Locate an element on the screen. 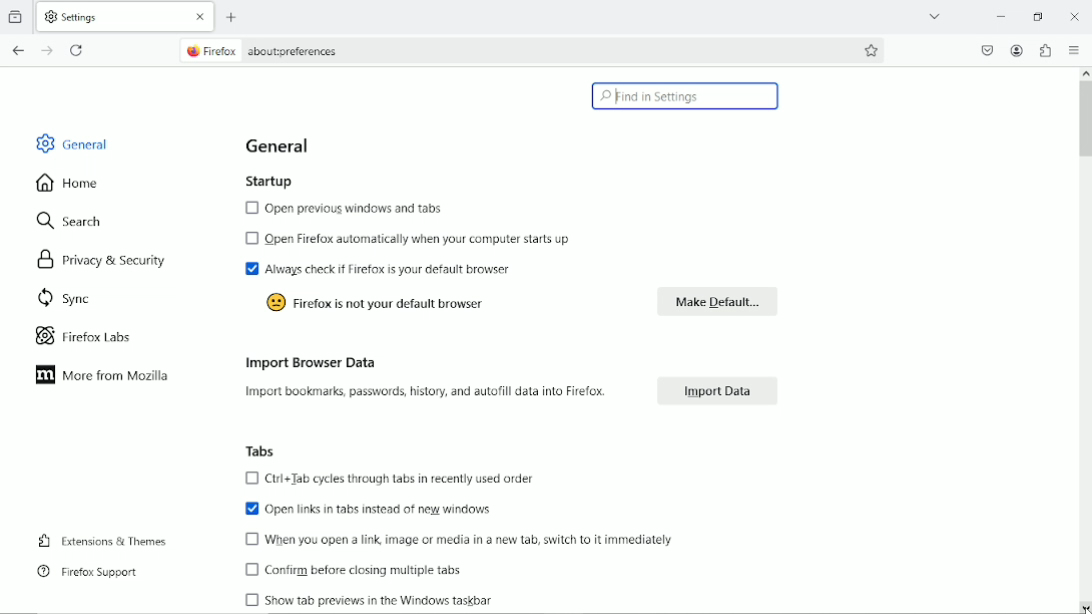 This screenshot has width=1092, height=614. bookmark this page is located at coordinates (872, 50).